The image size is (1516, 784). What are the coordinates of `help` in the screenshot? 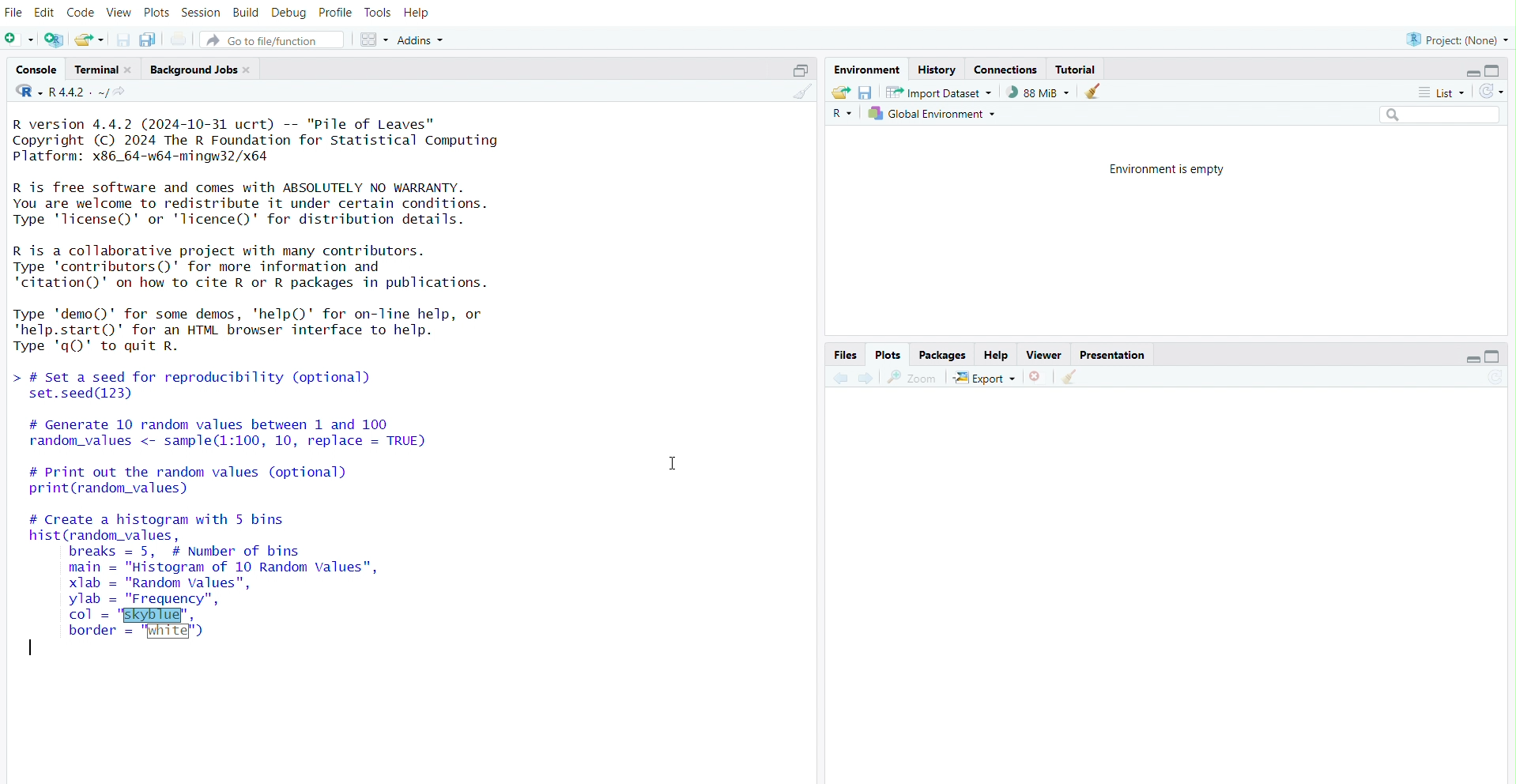 It's located at (999, 353).